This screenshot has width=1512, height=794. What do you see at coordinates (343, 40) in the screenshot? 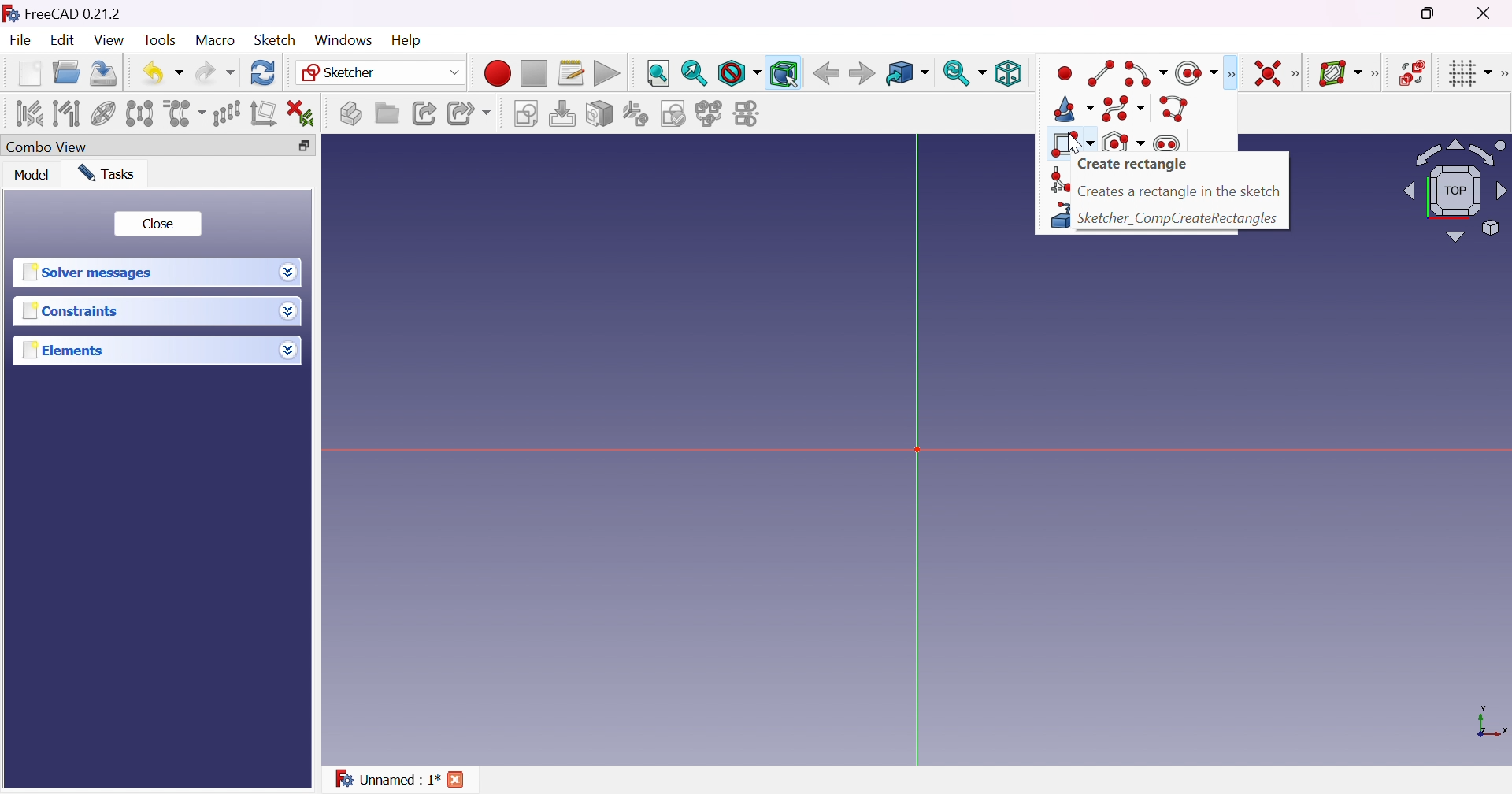
I see `Windows` at bounding box center [343, 40].